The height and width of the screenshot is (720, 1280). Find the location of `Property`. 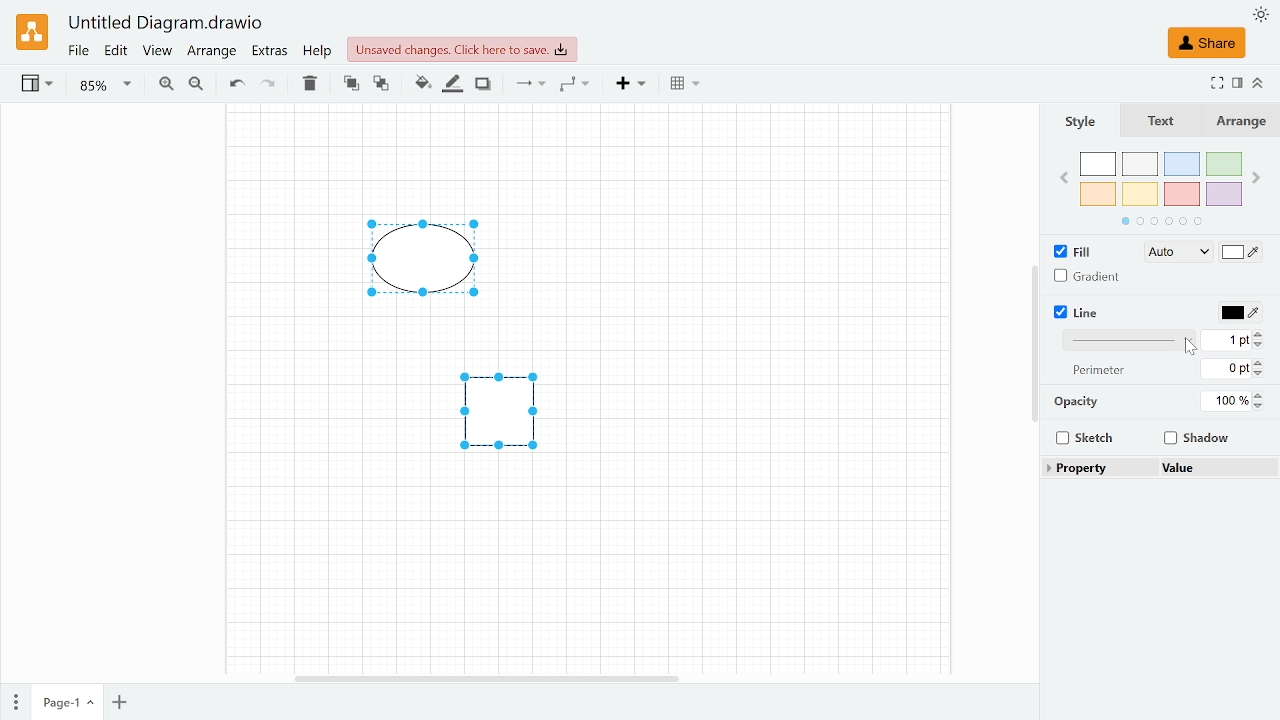

Property is located at coordinates (1078, 470).